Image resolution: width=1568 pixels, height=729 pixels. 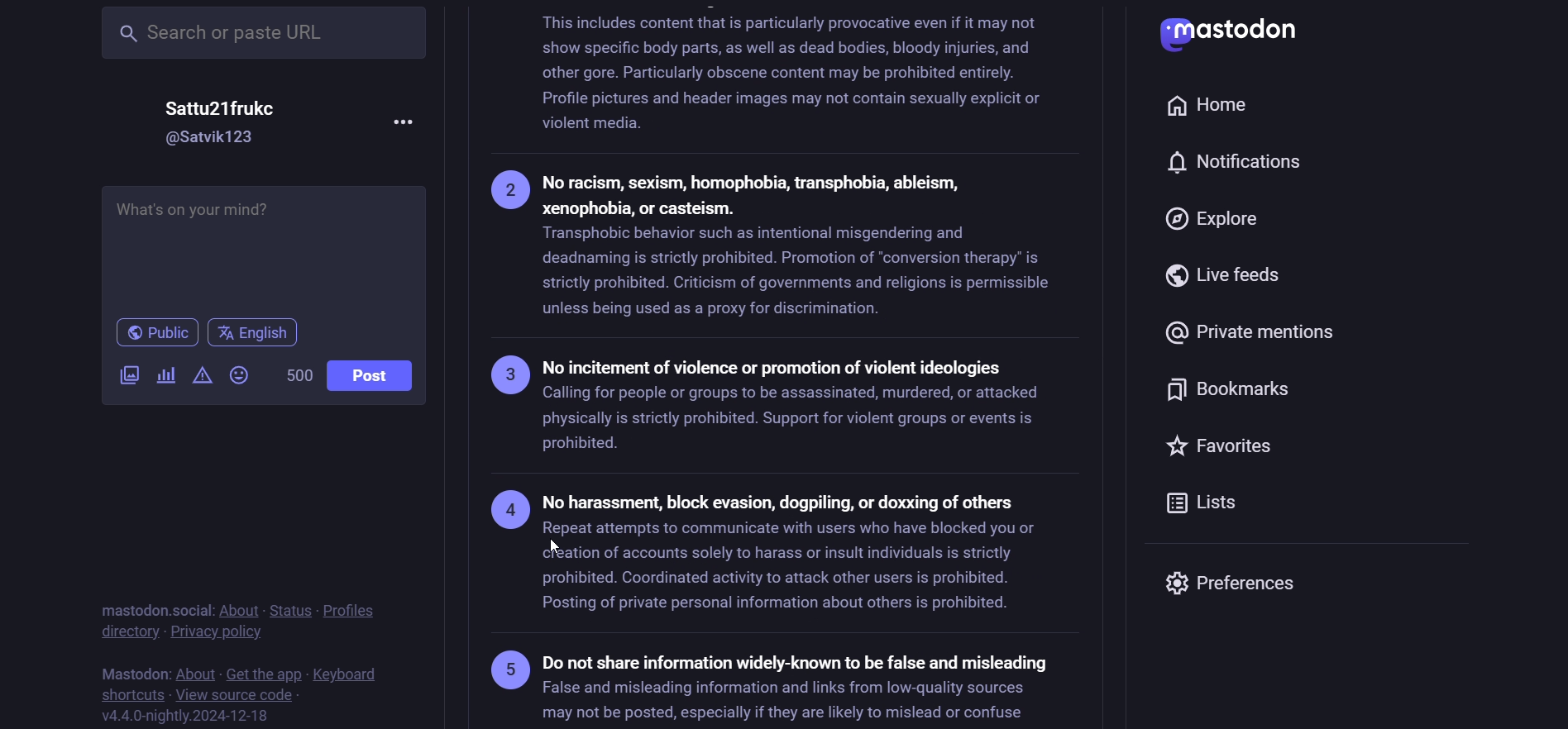 What do you see at coordinates (1236, 583) in the screenshot?
I see `preferences` at bounding box center [1236, 583].